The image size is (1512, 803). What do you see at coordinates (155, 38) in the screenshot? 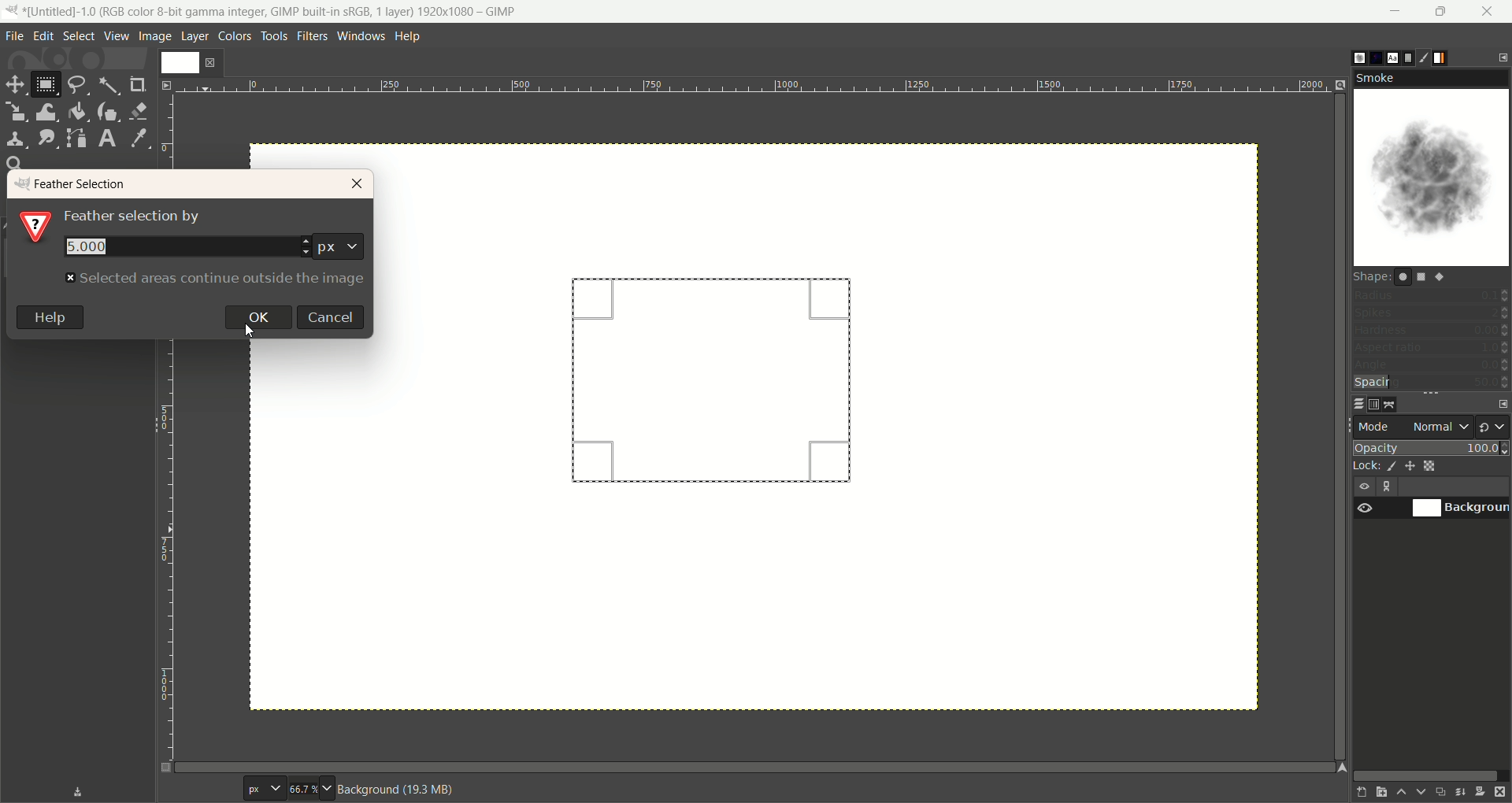
I see `image` at bounding box center [155, 38].